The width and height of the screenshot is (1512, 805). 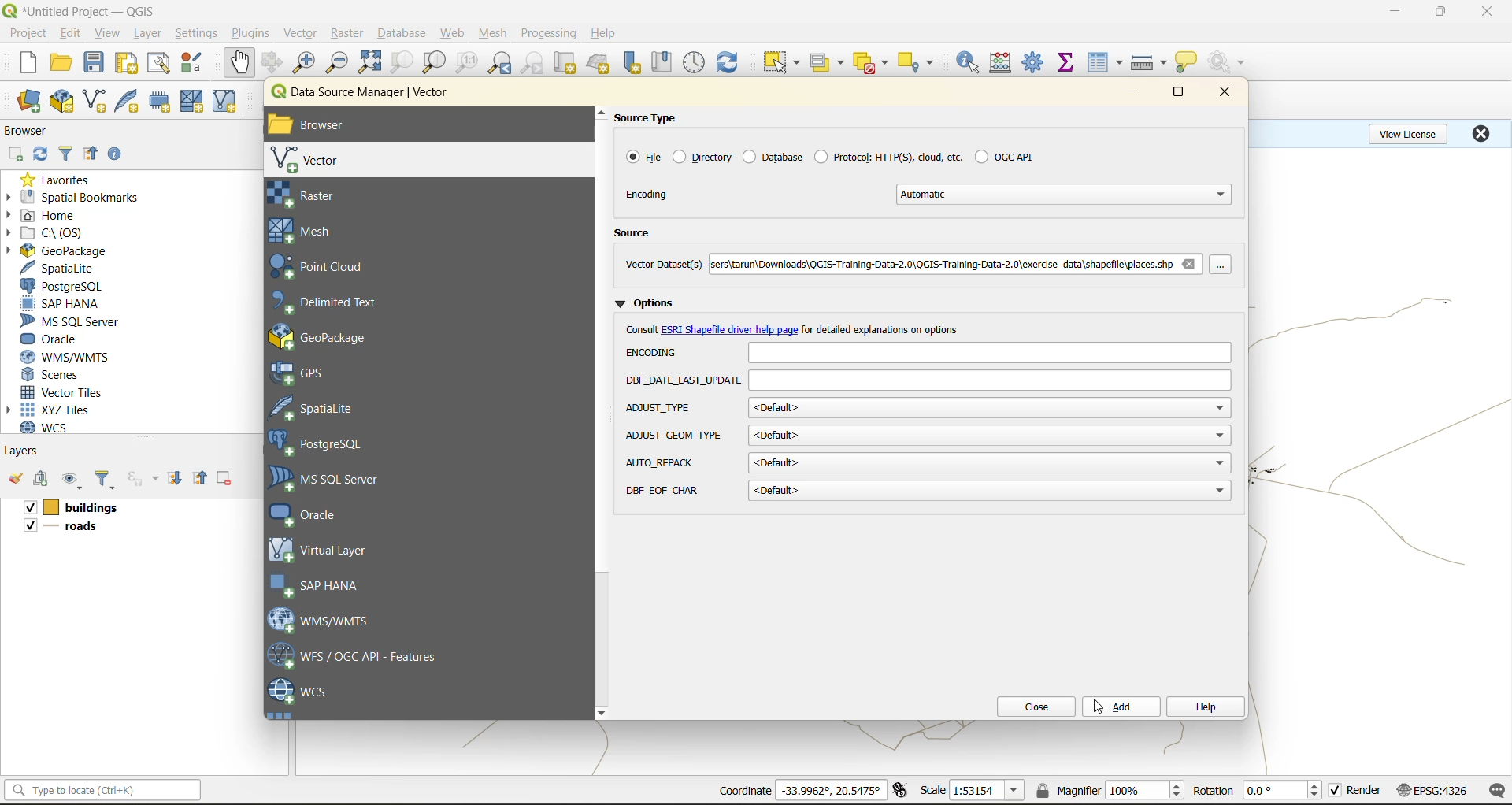 What do you see at coordinates (322, 549) in the screenshot?
I see `virtual layer` at bounding box center [322, 549].